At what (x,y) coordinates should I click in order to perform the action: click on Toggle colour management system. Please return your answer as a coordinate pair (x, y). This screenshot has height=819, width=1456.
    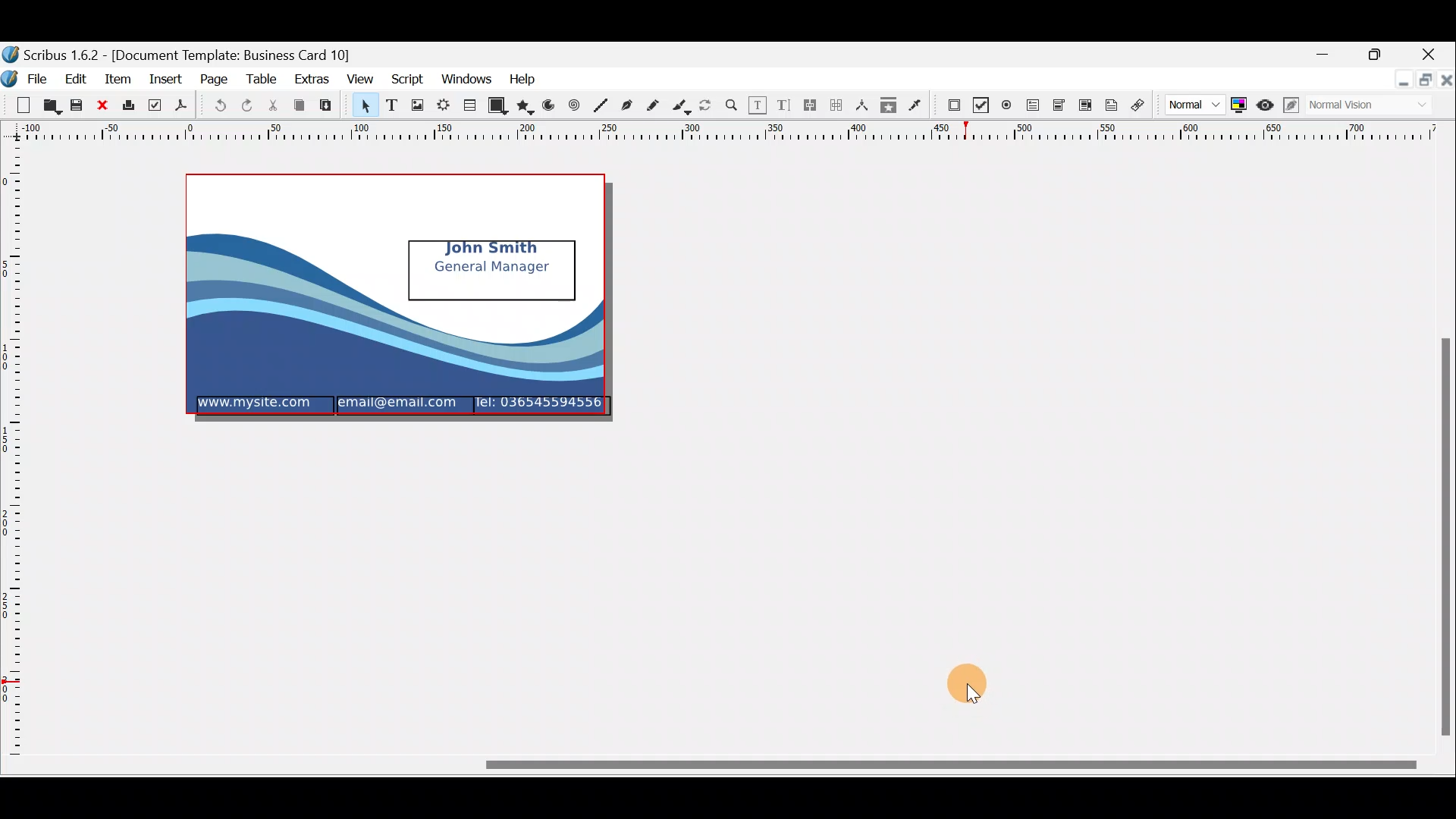
    Looking at the image, I should click on (1240, 104).